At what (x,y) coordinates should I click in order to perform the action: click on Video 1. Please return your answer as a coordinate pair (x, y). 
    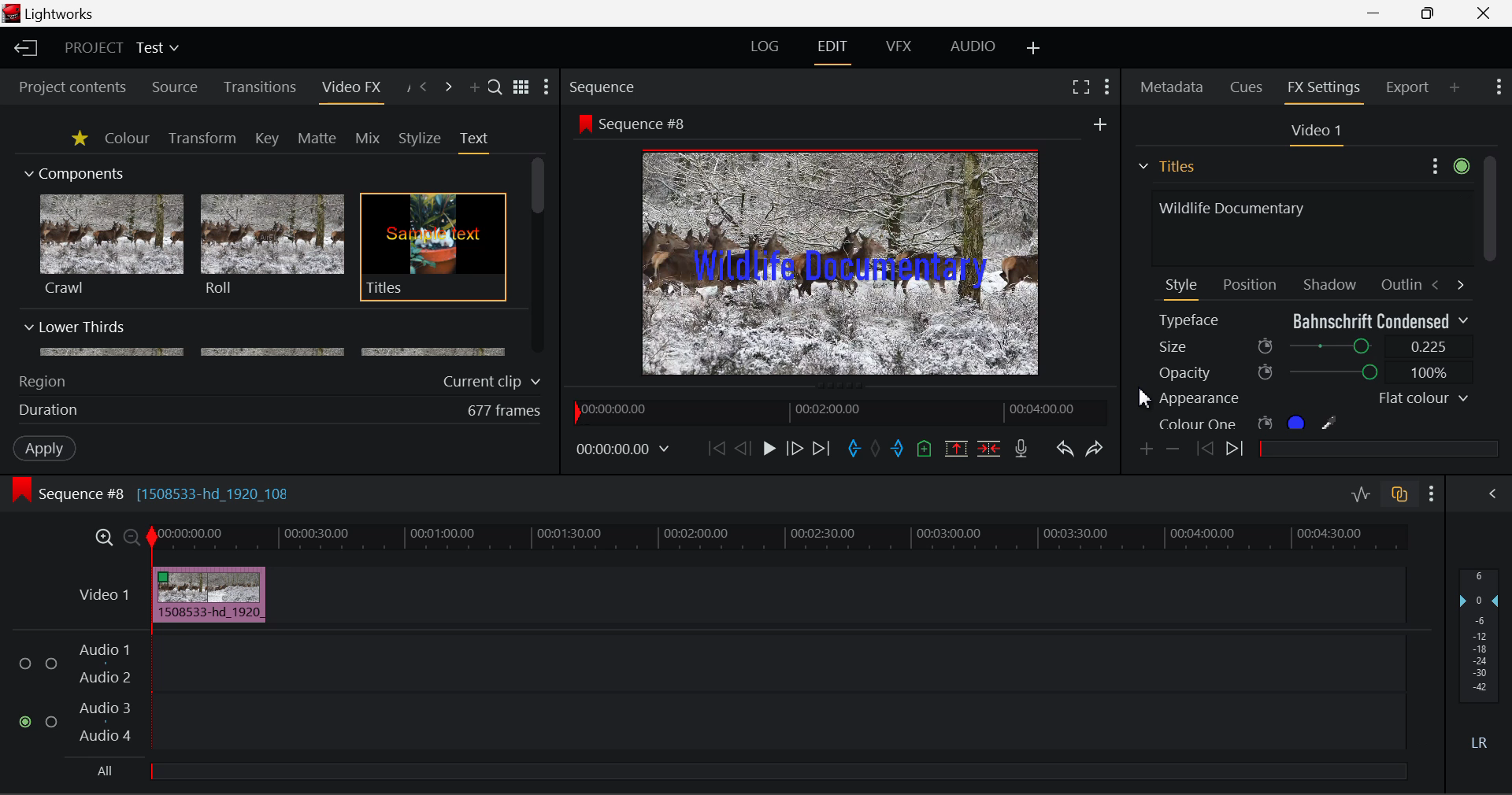
    Looking at the image, I should click on (106, 594).